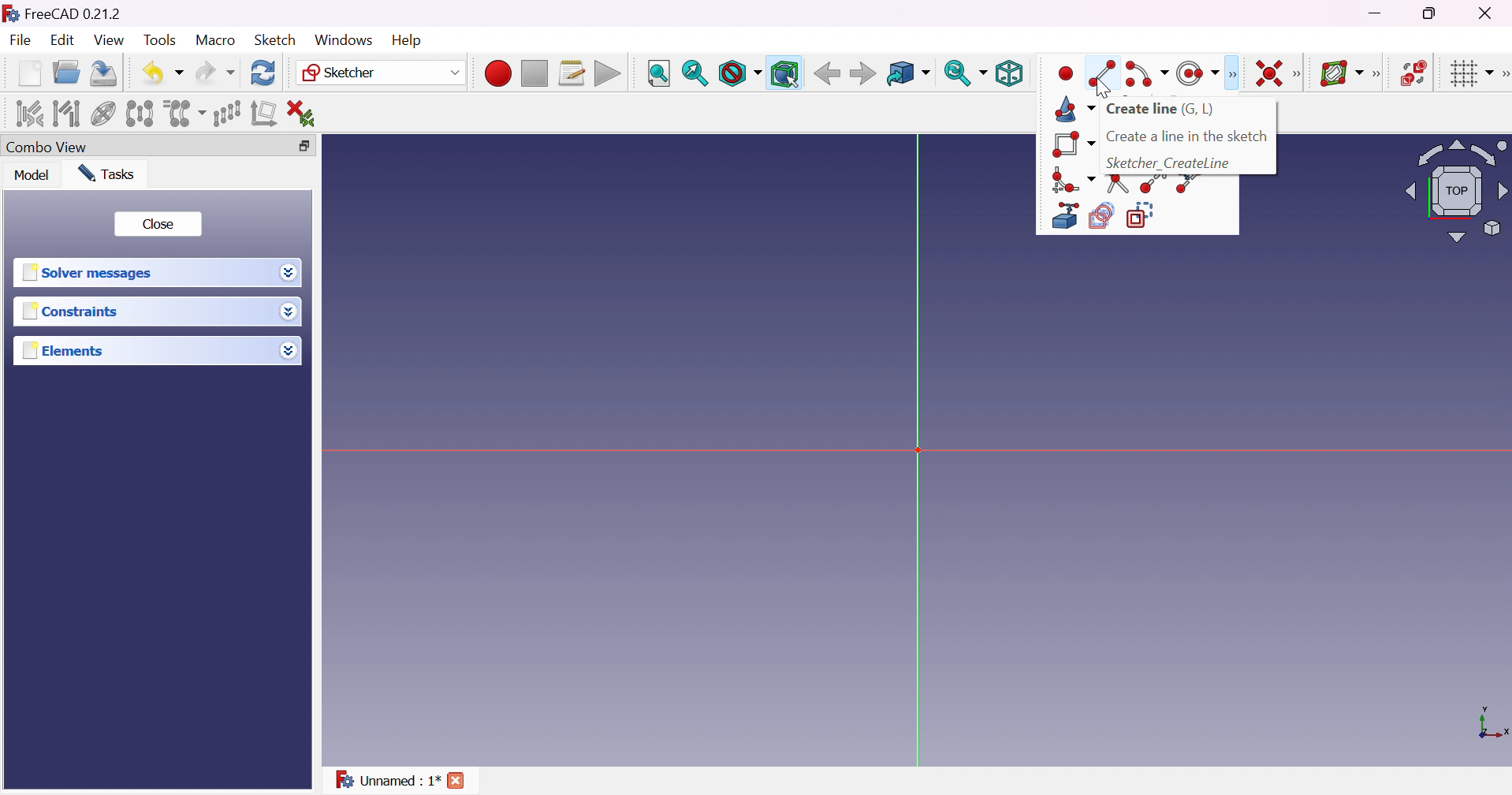  What do you see at coordinates (863, 75) in the screenshot?
I see `Forward` at bounding box center [863, 75].